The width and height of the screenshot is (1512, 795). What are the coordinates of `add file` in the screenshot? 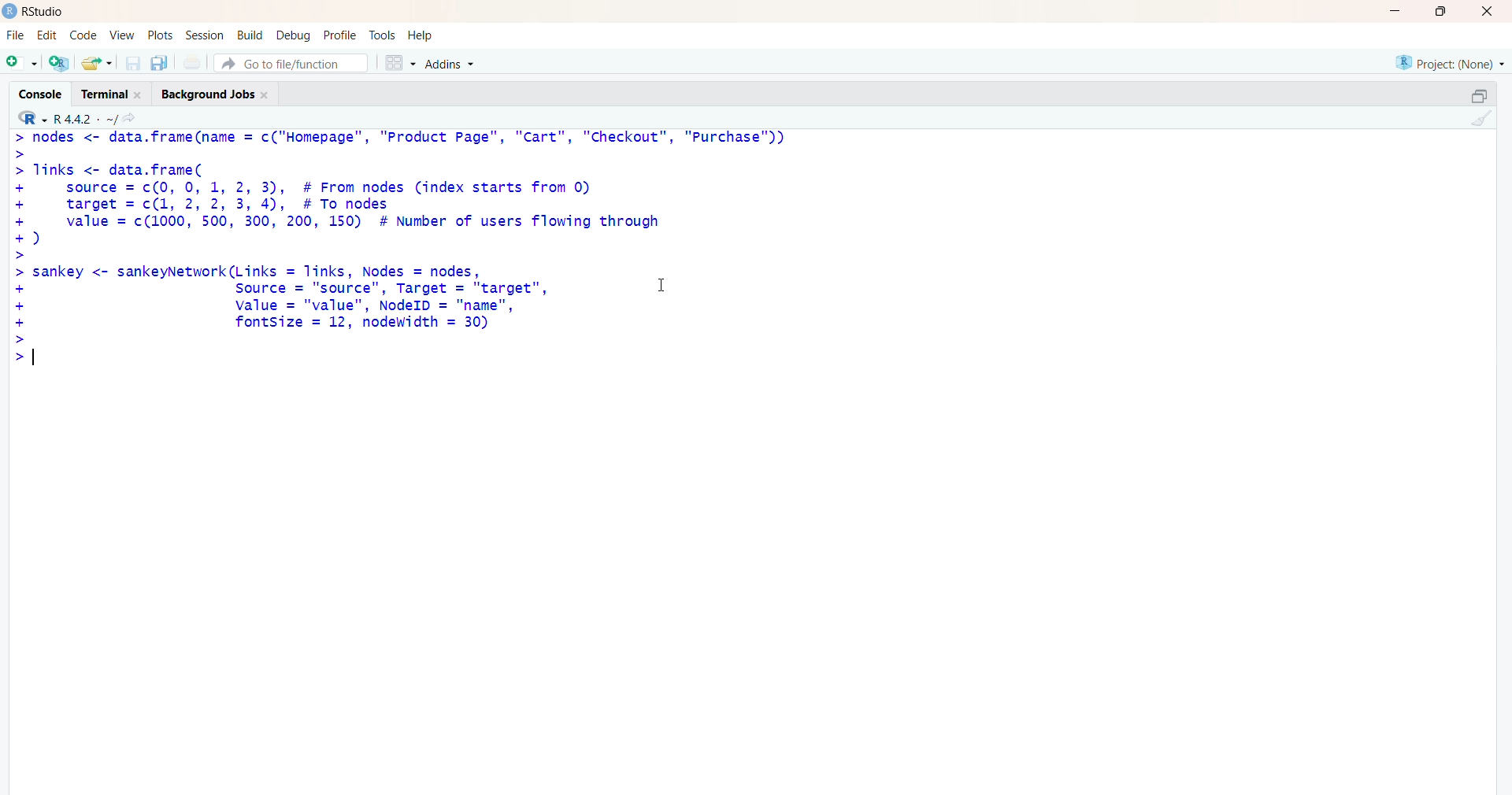 It's located at (60, 65).